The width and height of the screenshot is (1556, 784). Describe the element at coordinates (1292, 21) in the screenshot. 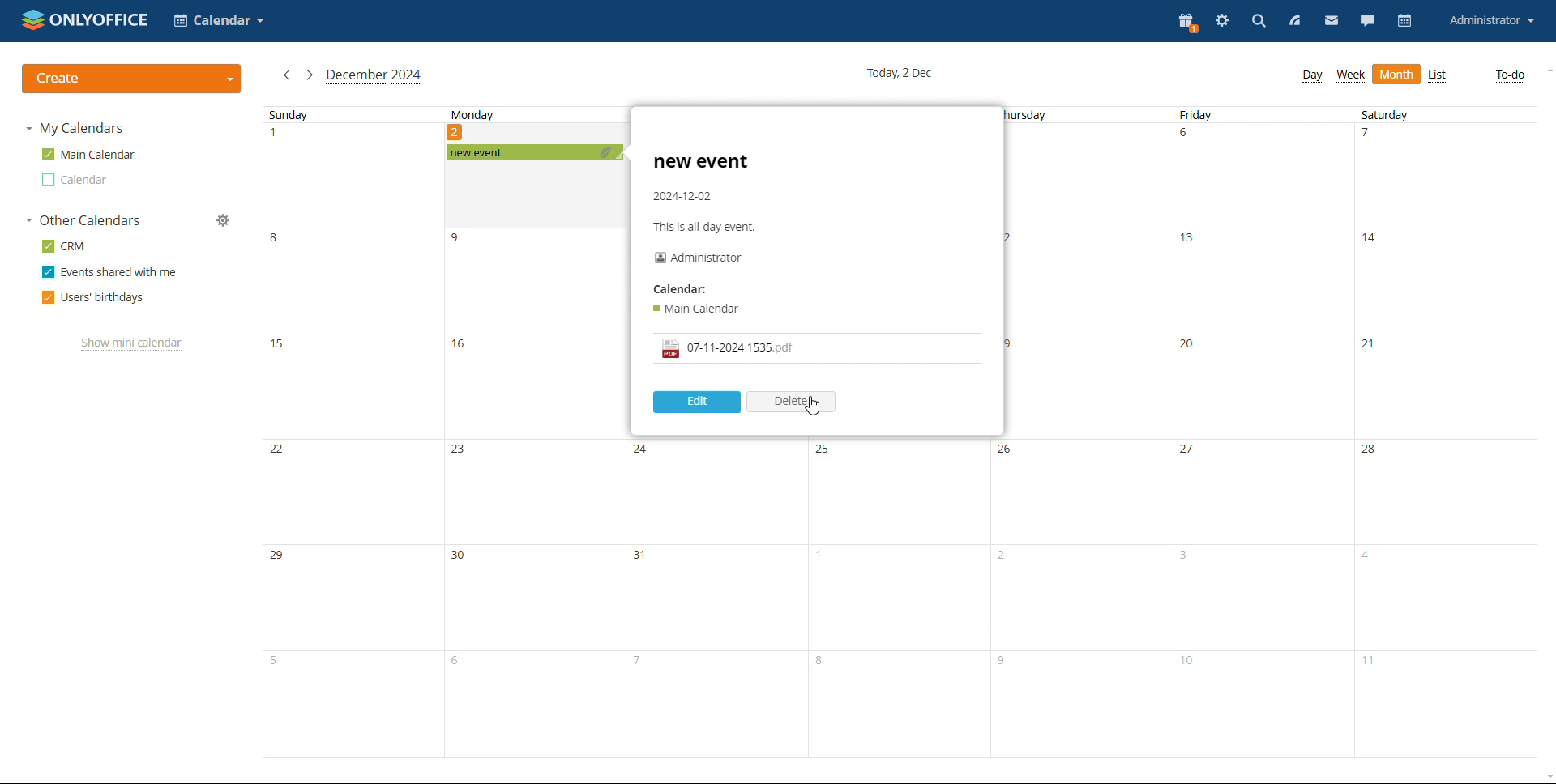

I see `feed` at that location.